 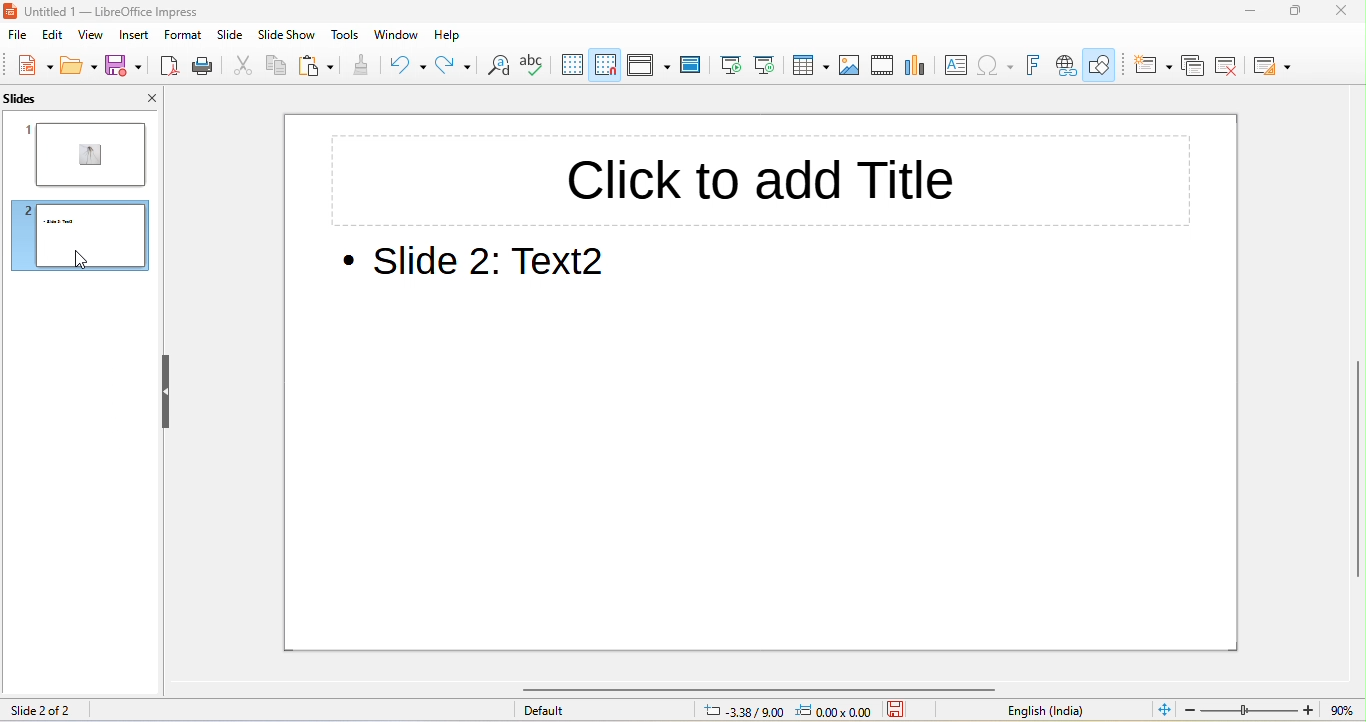 I want to click on format, so click(x=187, y=37).